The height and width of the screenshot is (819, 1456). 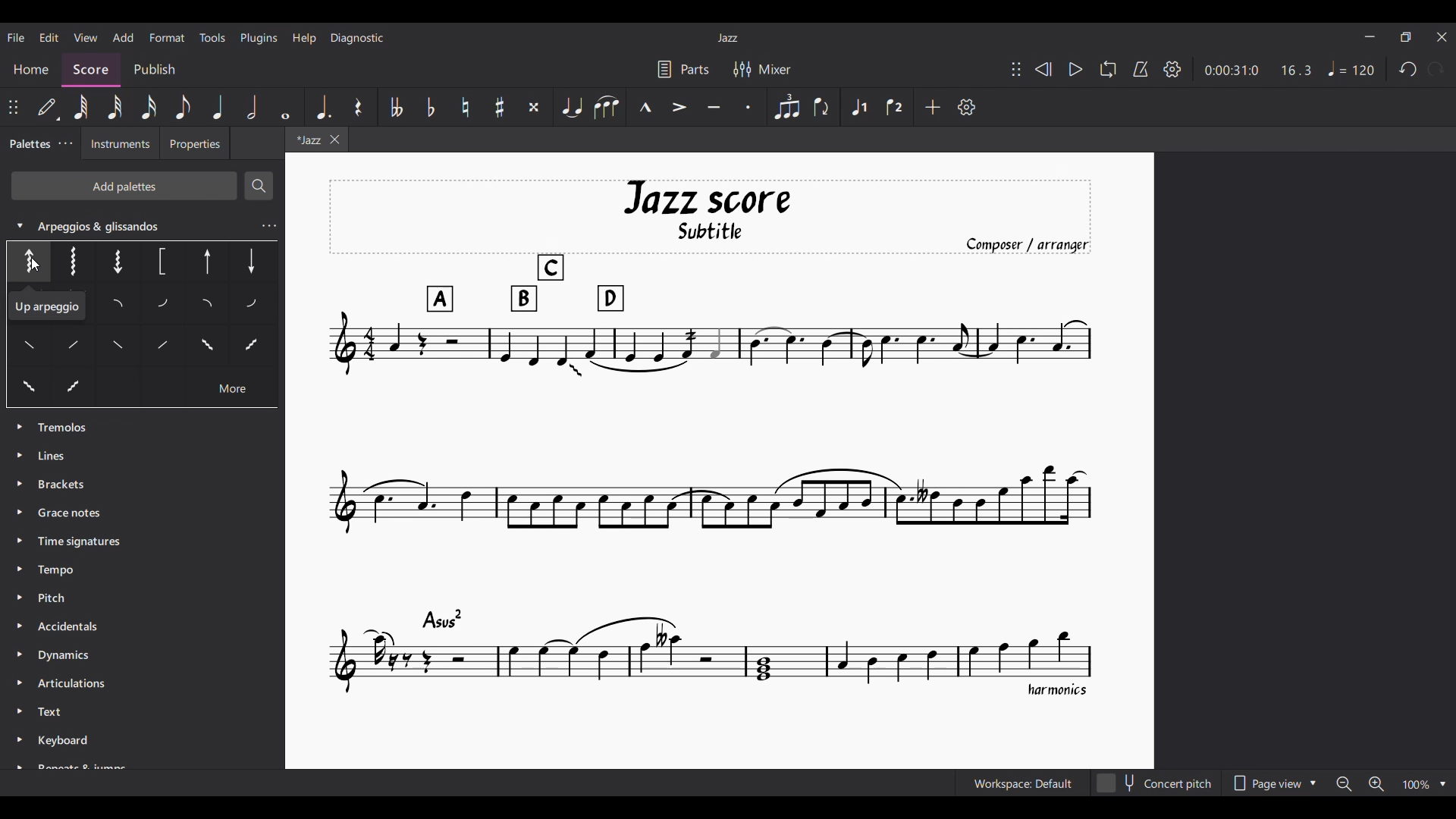 I want to click on Arpeggios & glissandos, so click(x=144, y=221).